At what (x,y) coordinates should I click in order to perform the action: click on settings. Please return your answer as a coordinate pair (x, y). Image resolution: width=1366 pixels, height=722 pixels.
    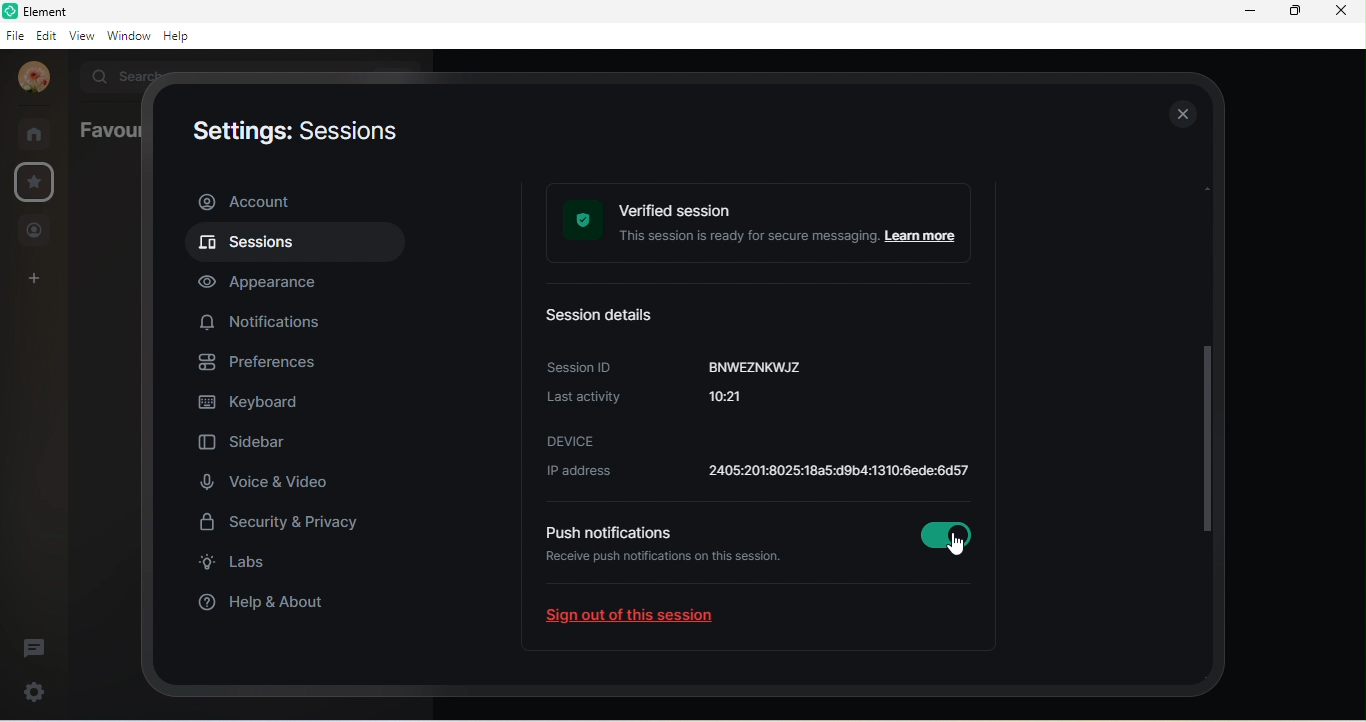
    Looking at the image, I should click on (37, 181).